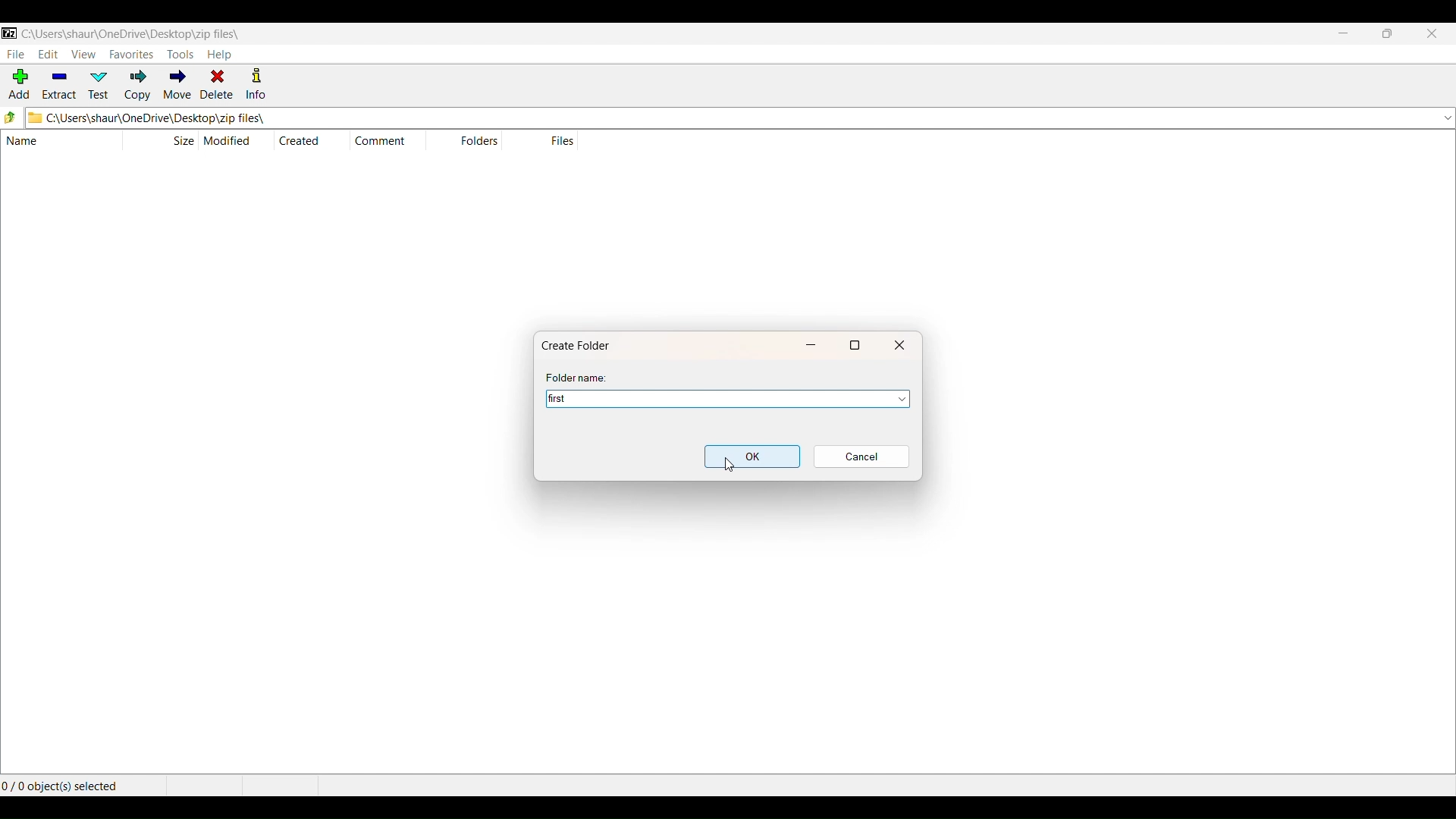 The image size is (1456, 819). What do you see at coordinates (83, 53) in the screenshot?
I see `VIEW` at bounding box center [83, 53].